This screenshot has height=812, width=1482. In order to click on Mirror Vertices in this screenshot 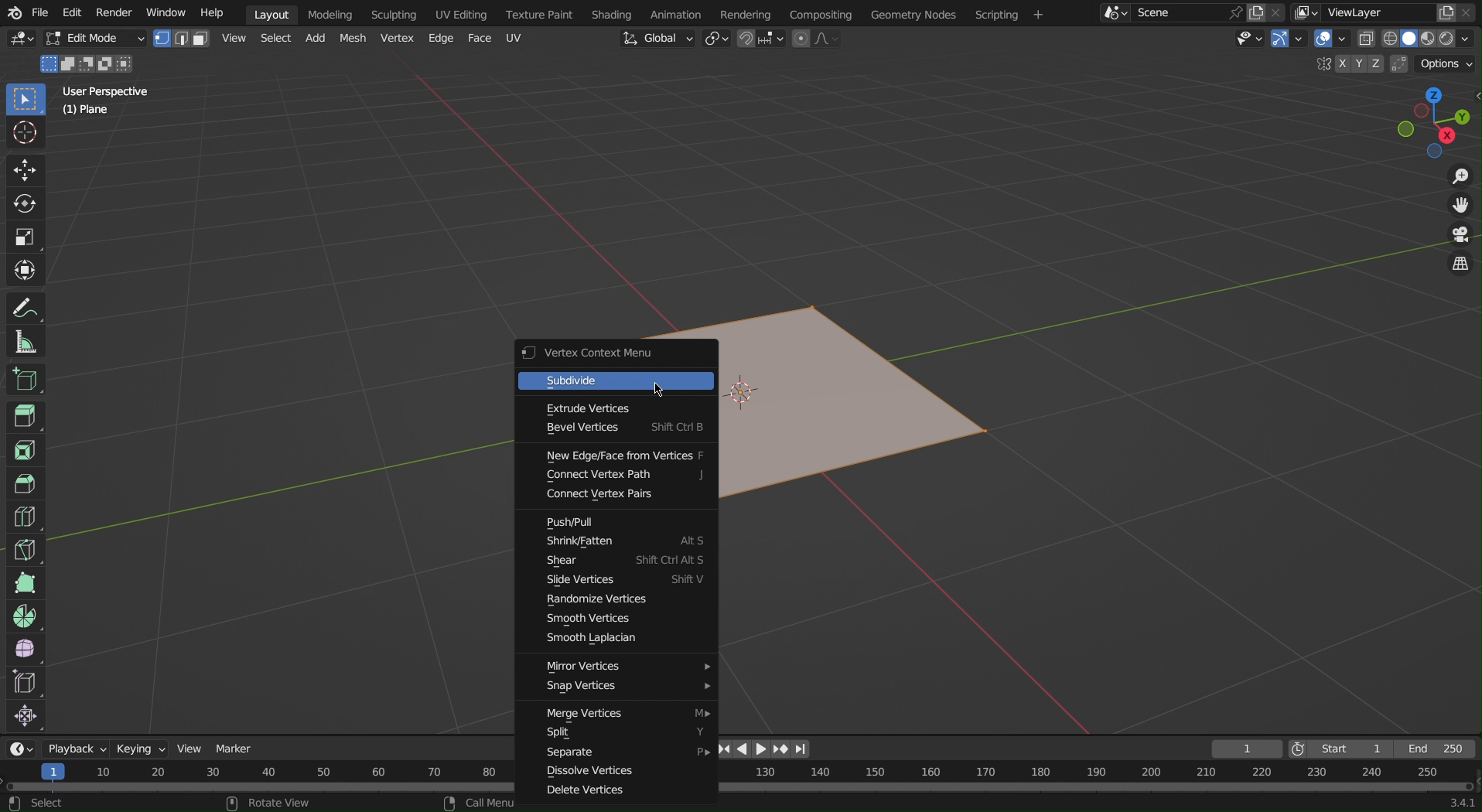, I will do `click(623, 667)`.